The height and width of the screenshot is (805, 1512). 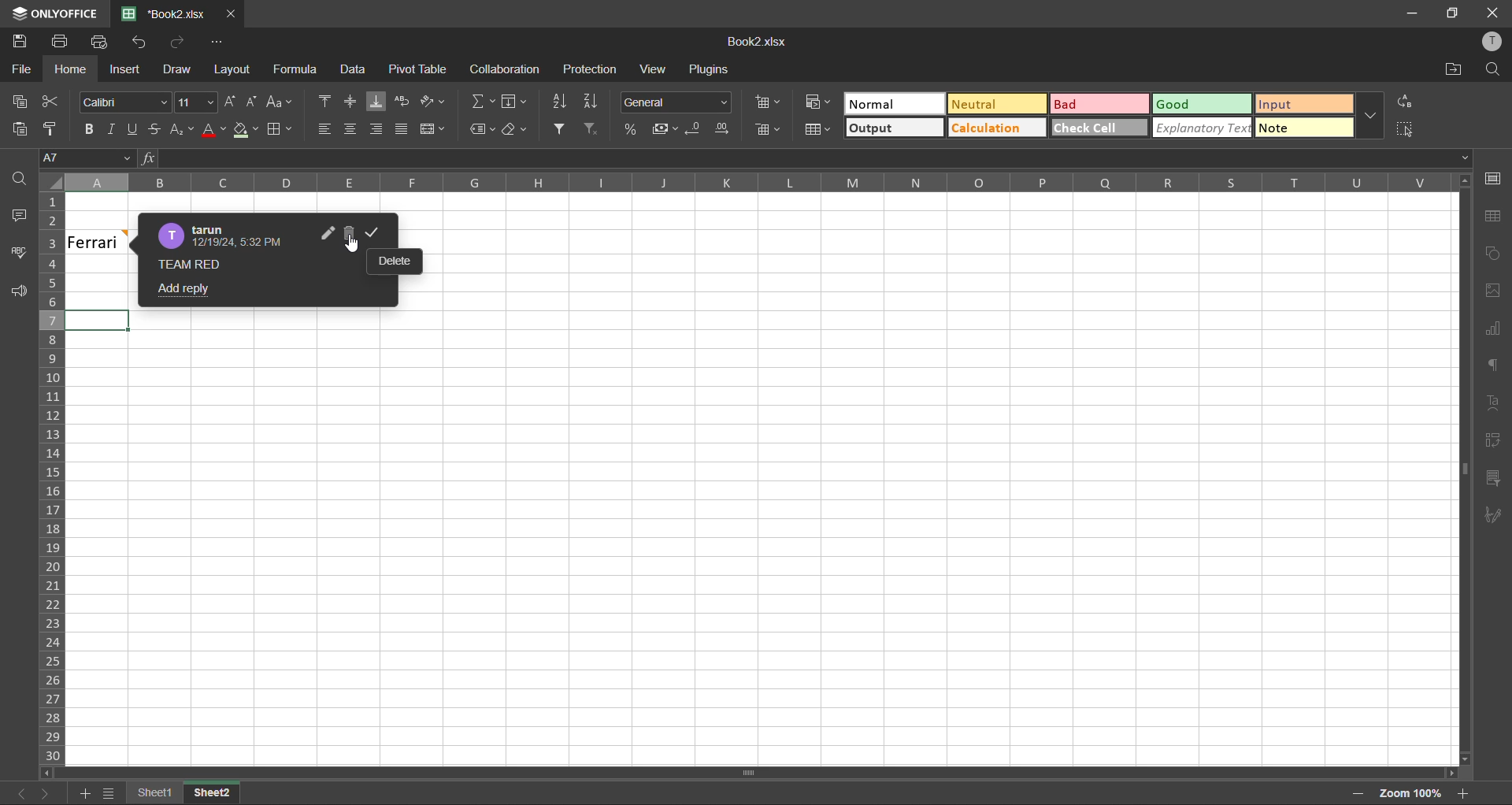 What do you see at coordinates (299, 72) in the screenshot?
I see `formula` at bounding box center [299, 72].